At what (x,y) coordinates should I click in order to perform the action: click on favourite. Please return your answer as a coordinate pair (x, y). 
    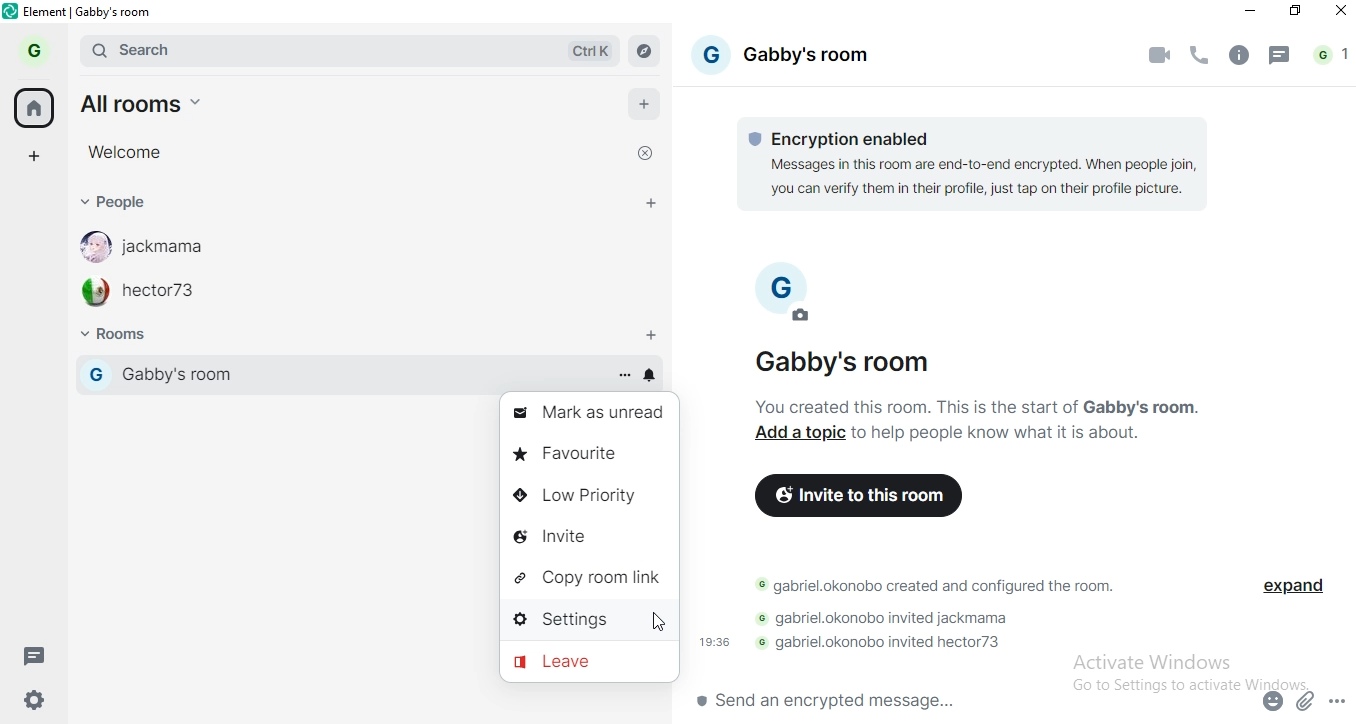
    Looking at the image, I should click on (591, 453).